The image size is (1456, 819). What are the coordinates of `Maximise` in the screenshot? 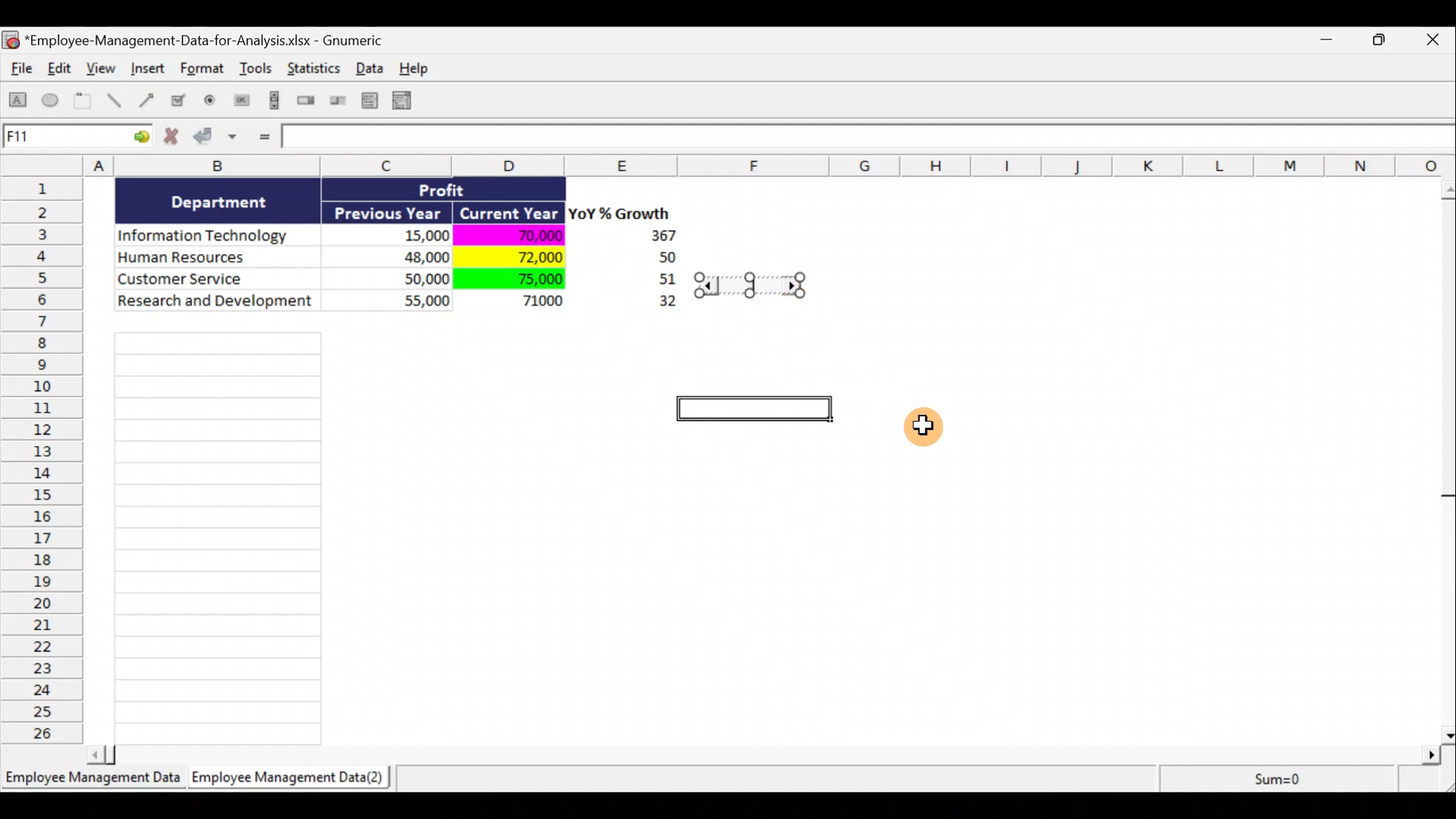 It's located at (1387, 38).